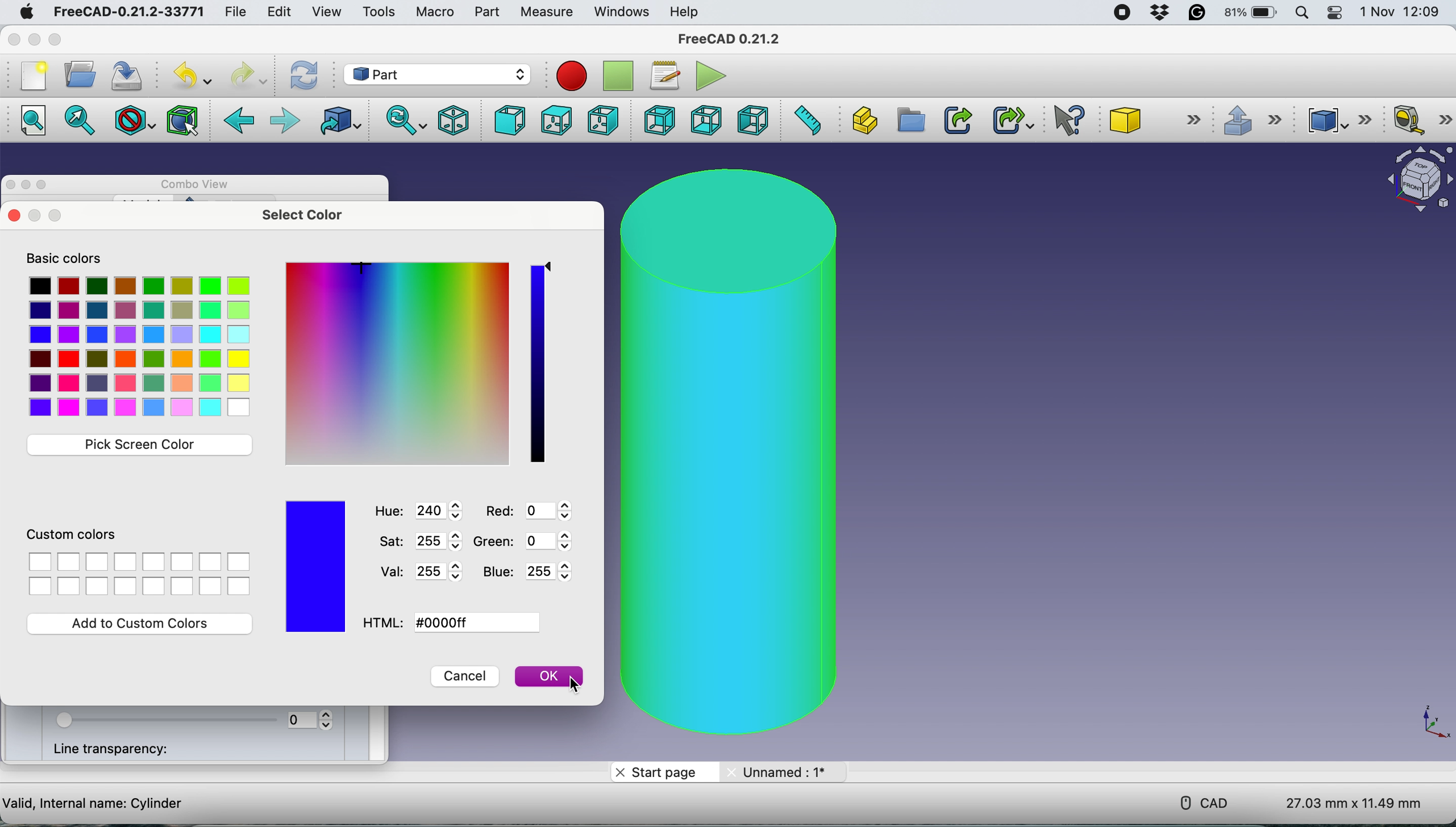  What do you see at coordinates (30, 124) in the screenshot?
I see `fit all` at bounding box center [30, 124].